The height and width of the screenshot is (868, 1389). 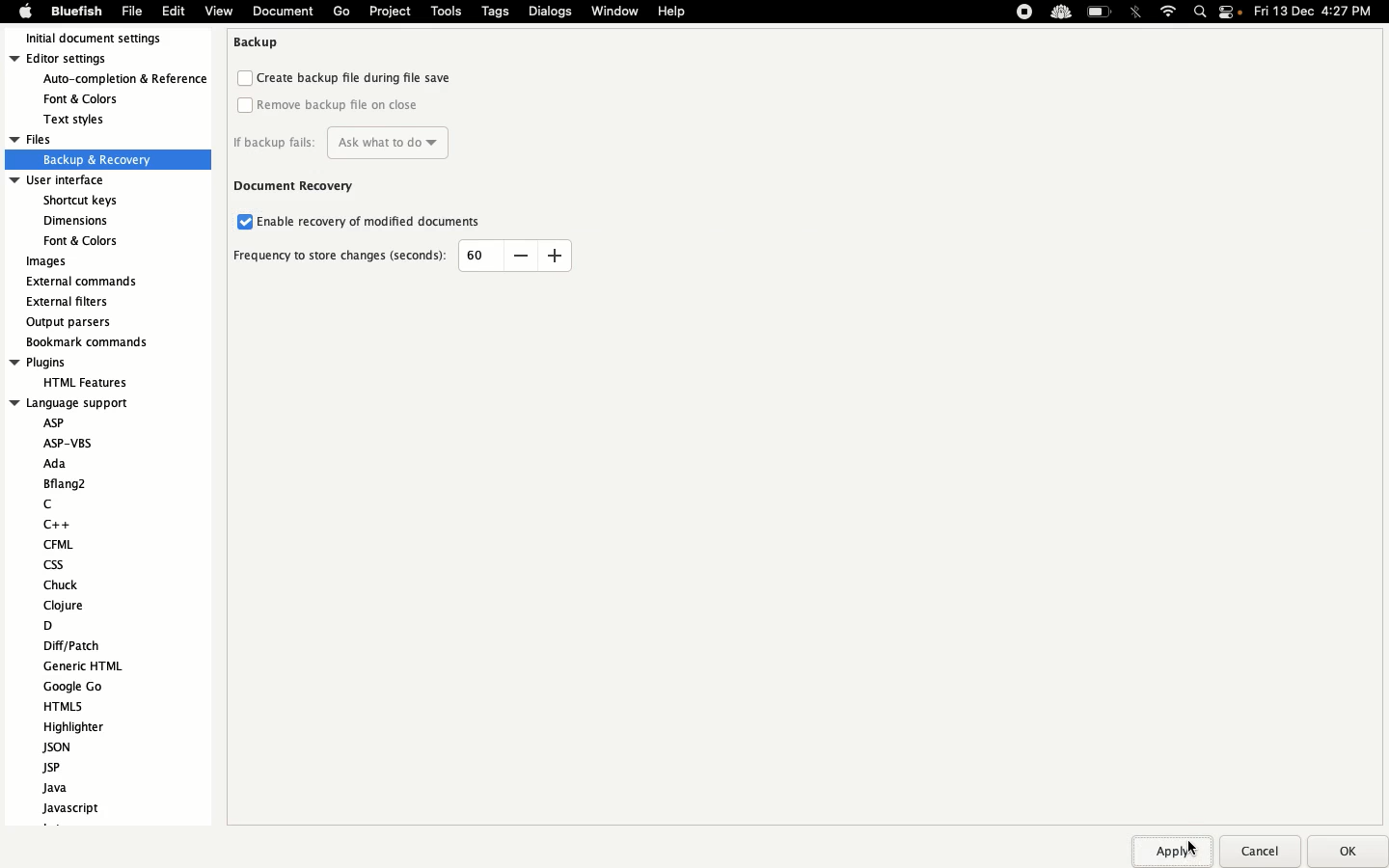 What do you see at coordinates (1234, 14) in the screenshot?
I see `Notification` at bounding box center [1234, 14].